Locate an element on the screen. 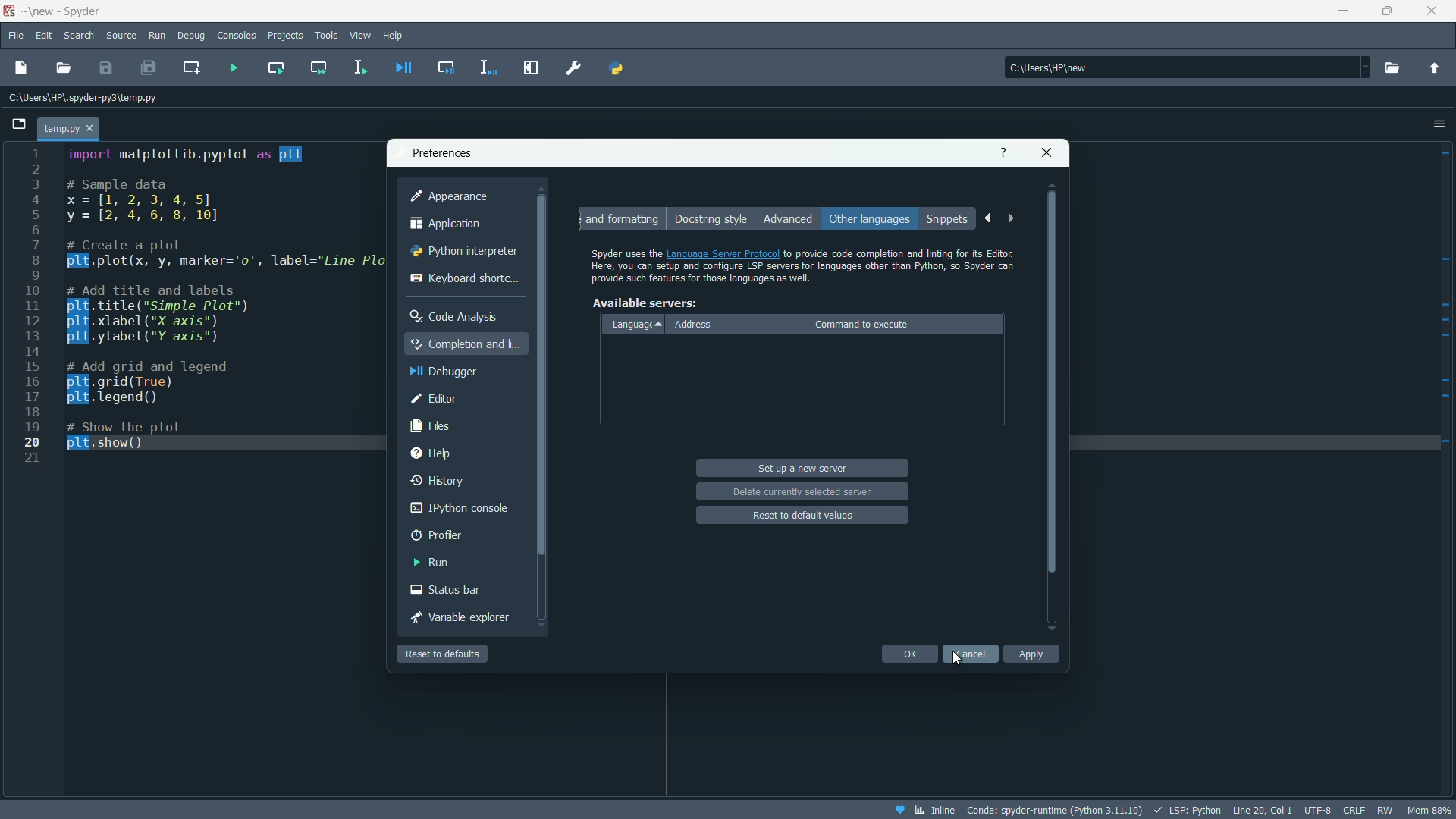  run current cell is located at coordinates (275, 67).